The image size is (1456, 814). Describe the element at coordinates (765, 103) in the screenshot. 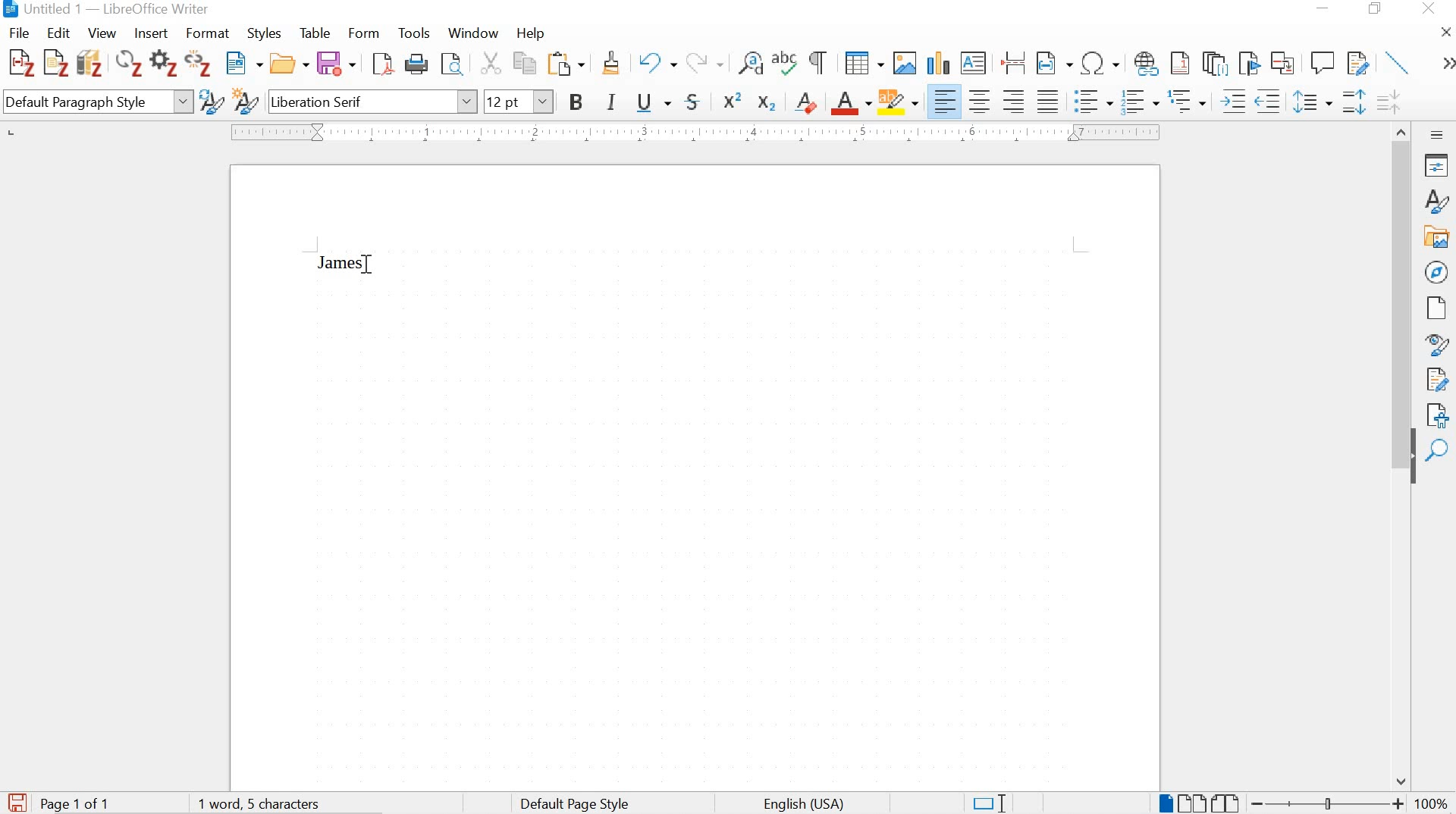

I see `subscript` at that location.